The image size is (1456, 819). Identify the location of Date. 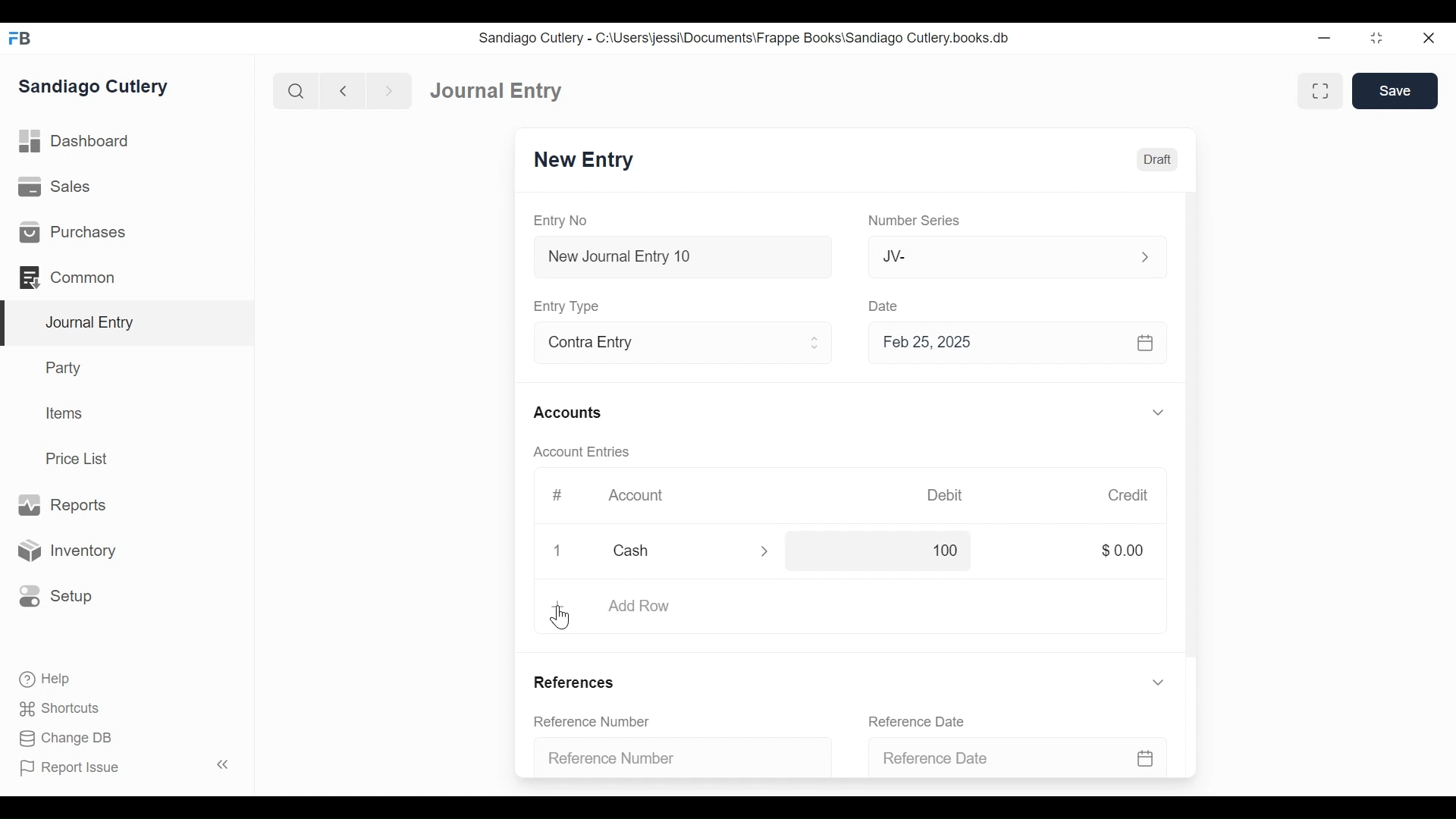
(886, 306).